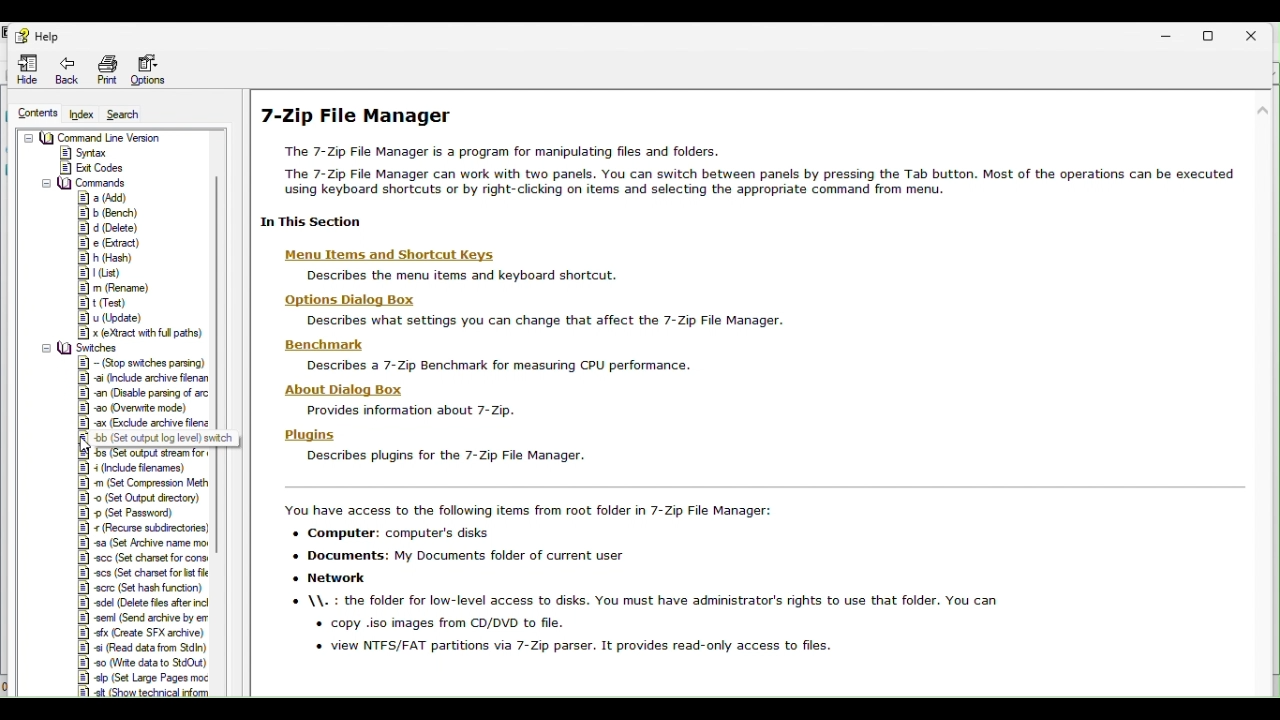  What do you see at coordinates (114, 244) in the screenshot?
I see `£] e (Extract)` at bounding box center [114, 244].